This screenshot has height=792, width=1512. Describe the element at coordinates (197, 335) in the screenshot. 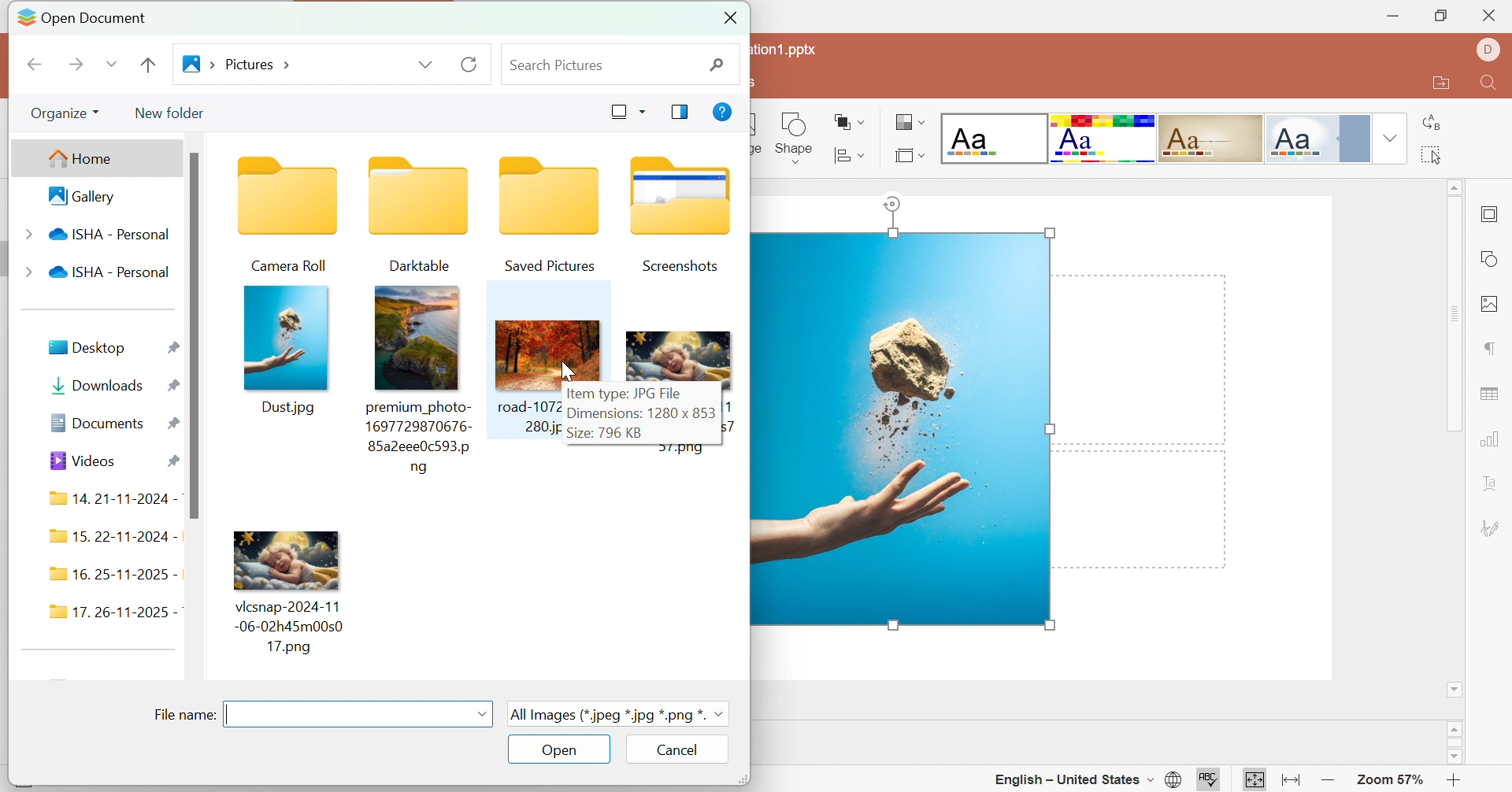

I see `scroll bar` at that location.